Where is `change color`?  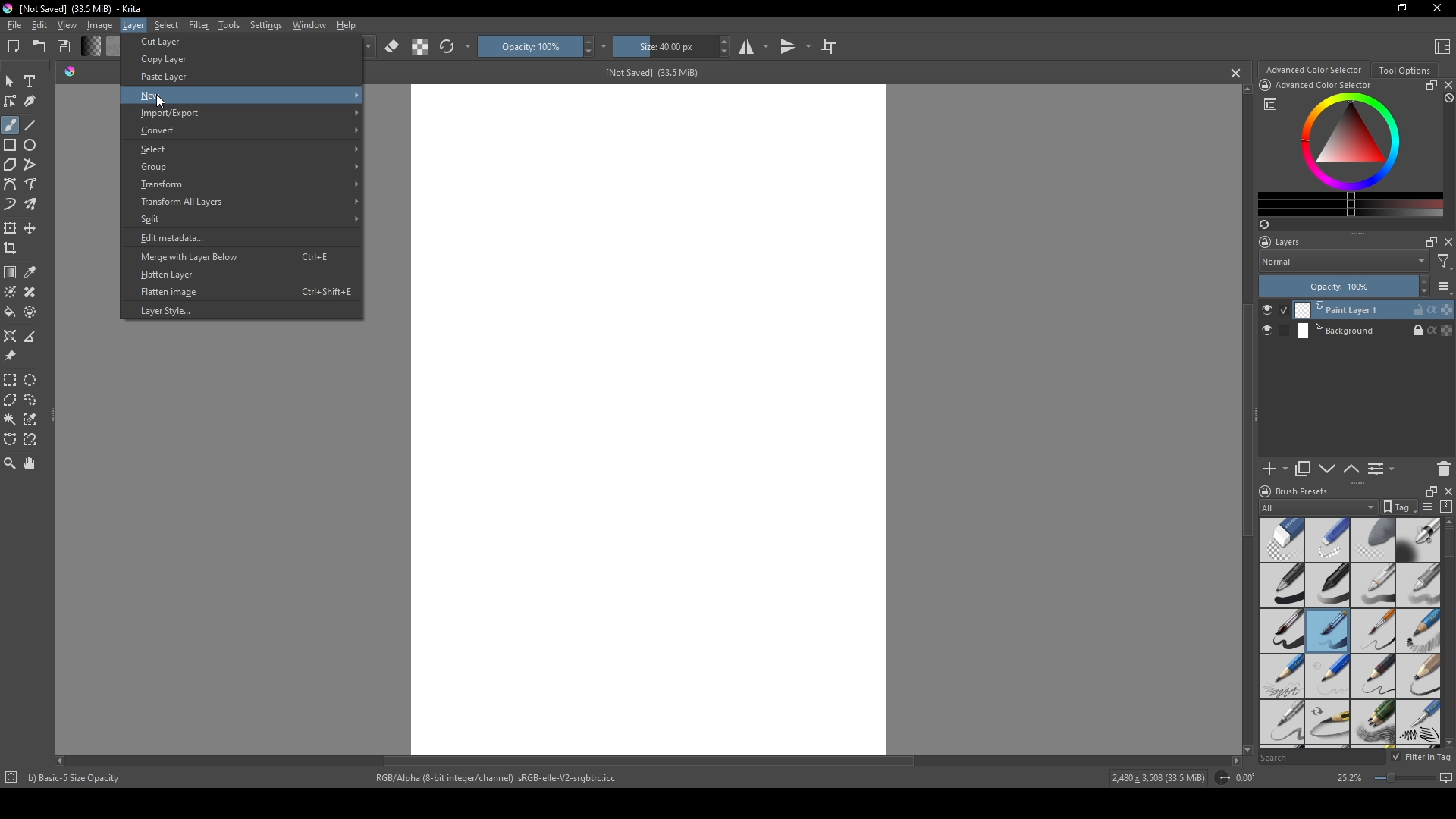
change color is located at coordinates (1351, 204).